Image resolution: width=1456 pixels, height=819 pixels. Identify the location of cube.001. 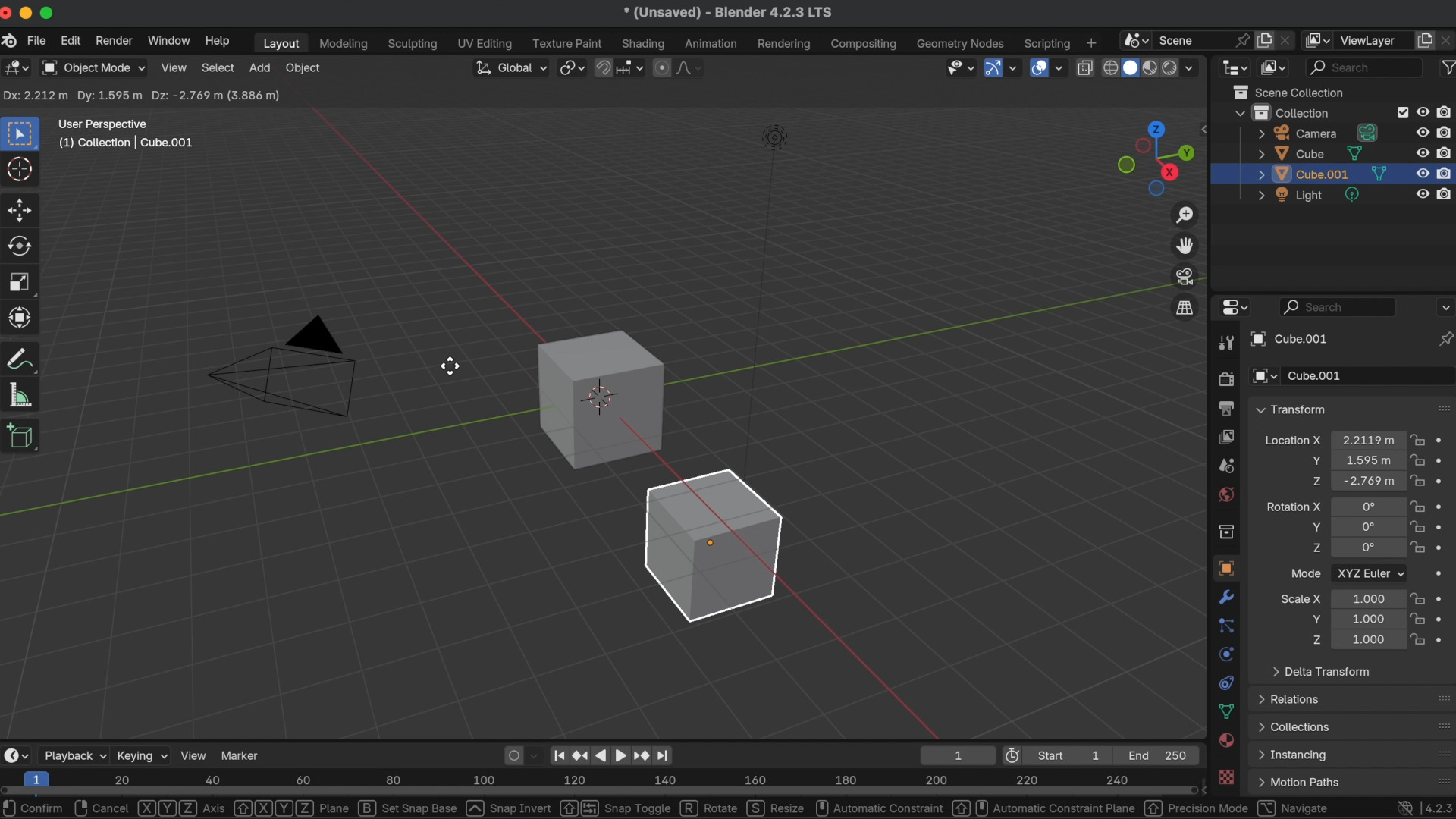
(1291, 340).